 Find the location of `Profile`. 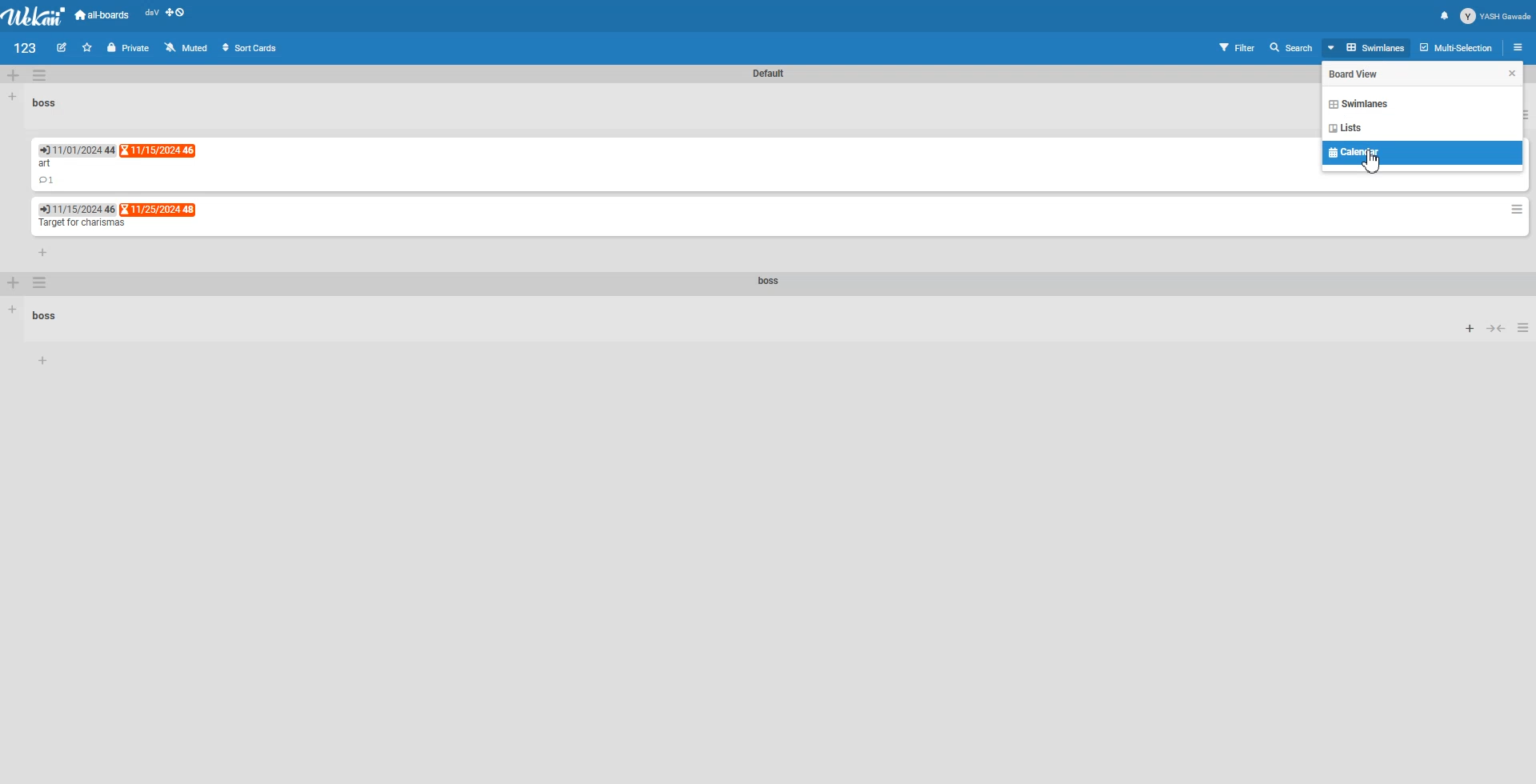

Profile is located at coordinates (1496, 16).